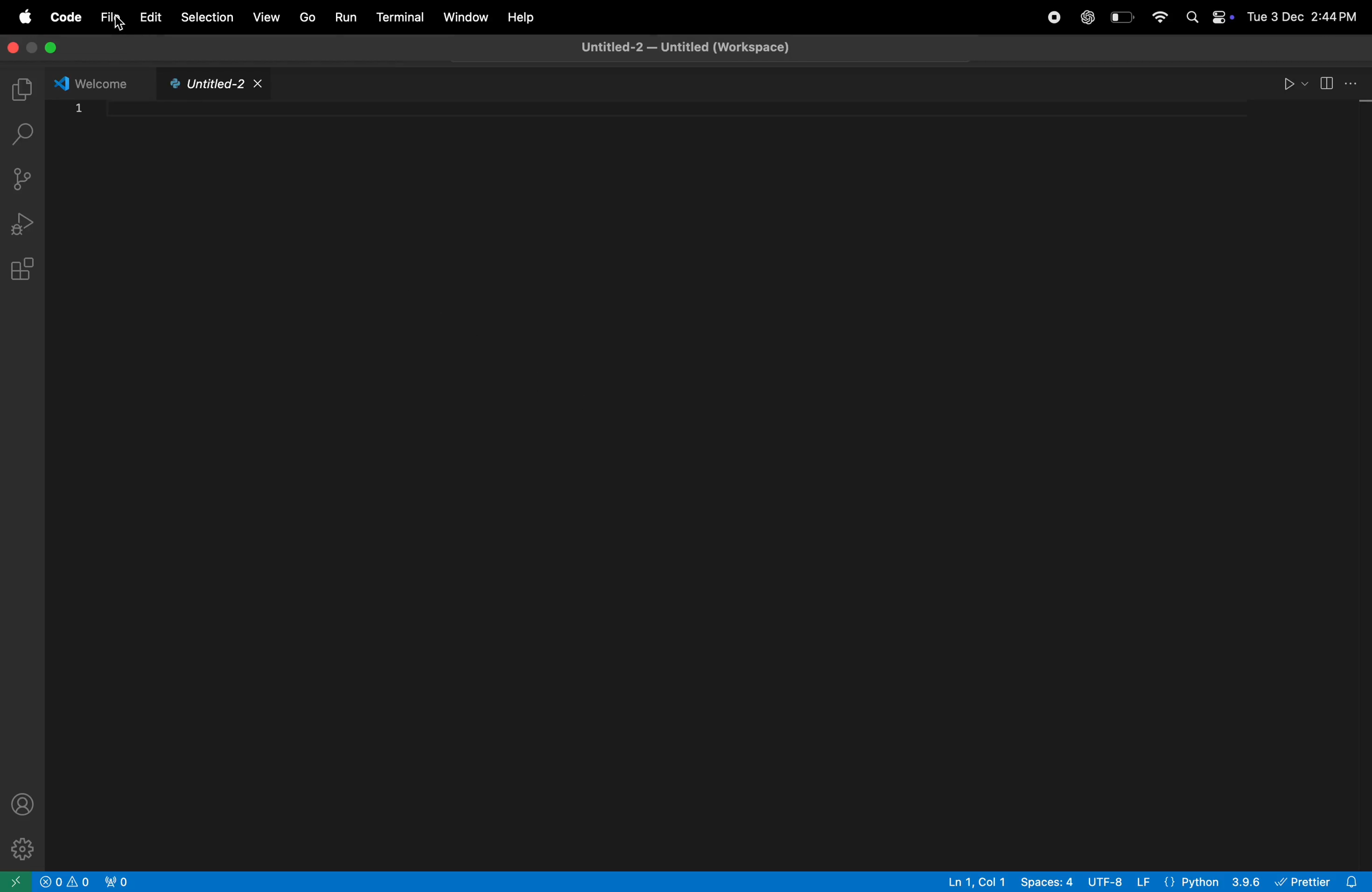 Image resolution: width=1372 pixels, height=892 pixels. Describe the element at coordinates (1305, 13) in the screenshot. I see `date and time` at that location.